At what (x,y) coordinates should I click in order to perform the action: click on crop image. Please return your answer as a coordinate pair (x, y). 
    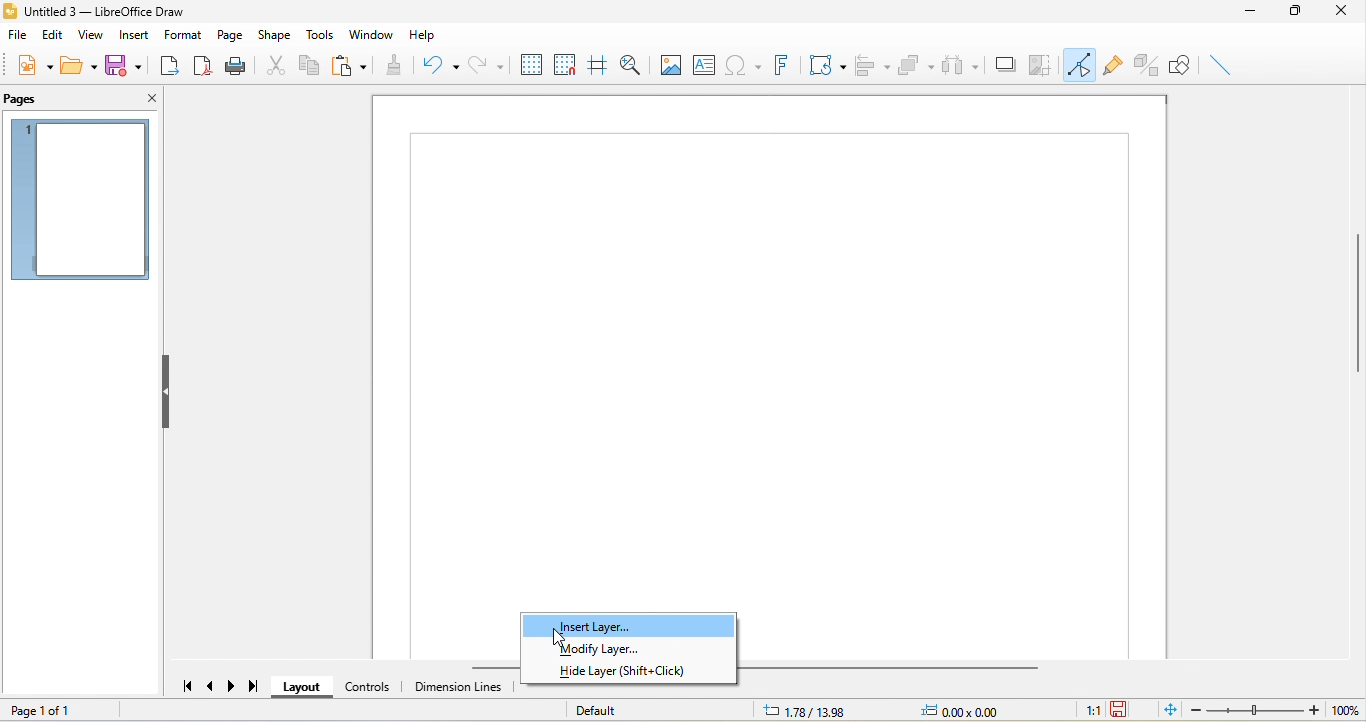
    Looking at the image, I should click on (1042, 64).